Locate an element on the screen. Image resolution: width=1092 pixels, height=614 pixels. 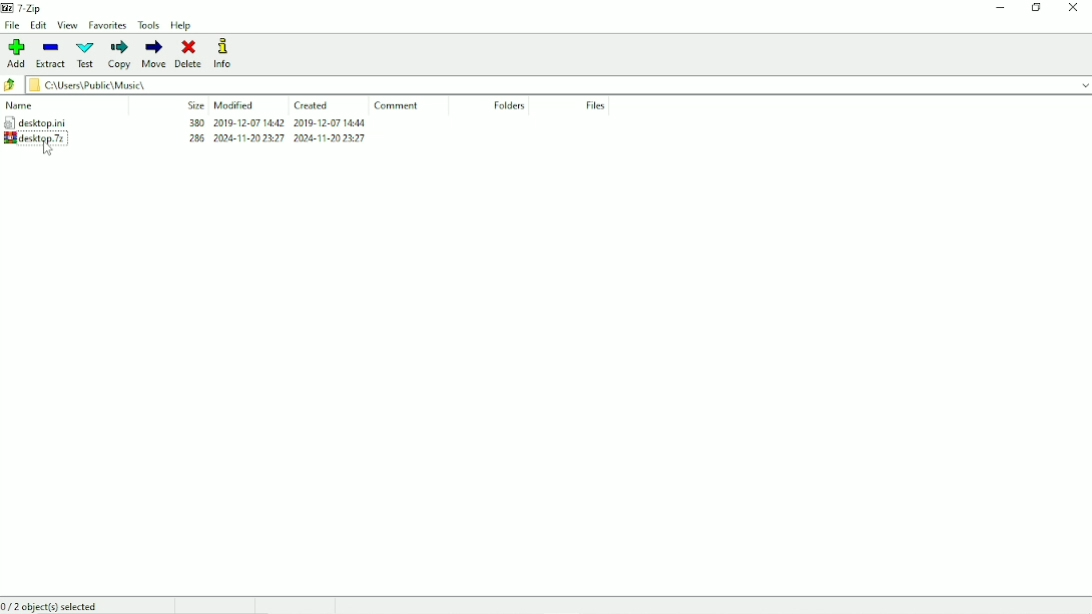
Files is located at coordinates (593, 105).